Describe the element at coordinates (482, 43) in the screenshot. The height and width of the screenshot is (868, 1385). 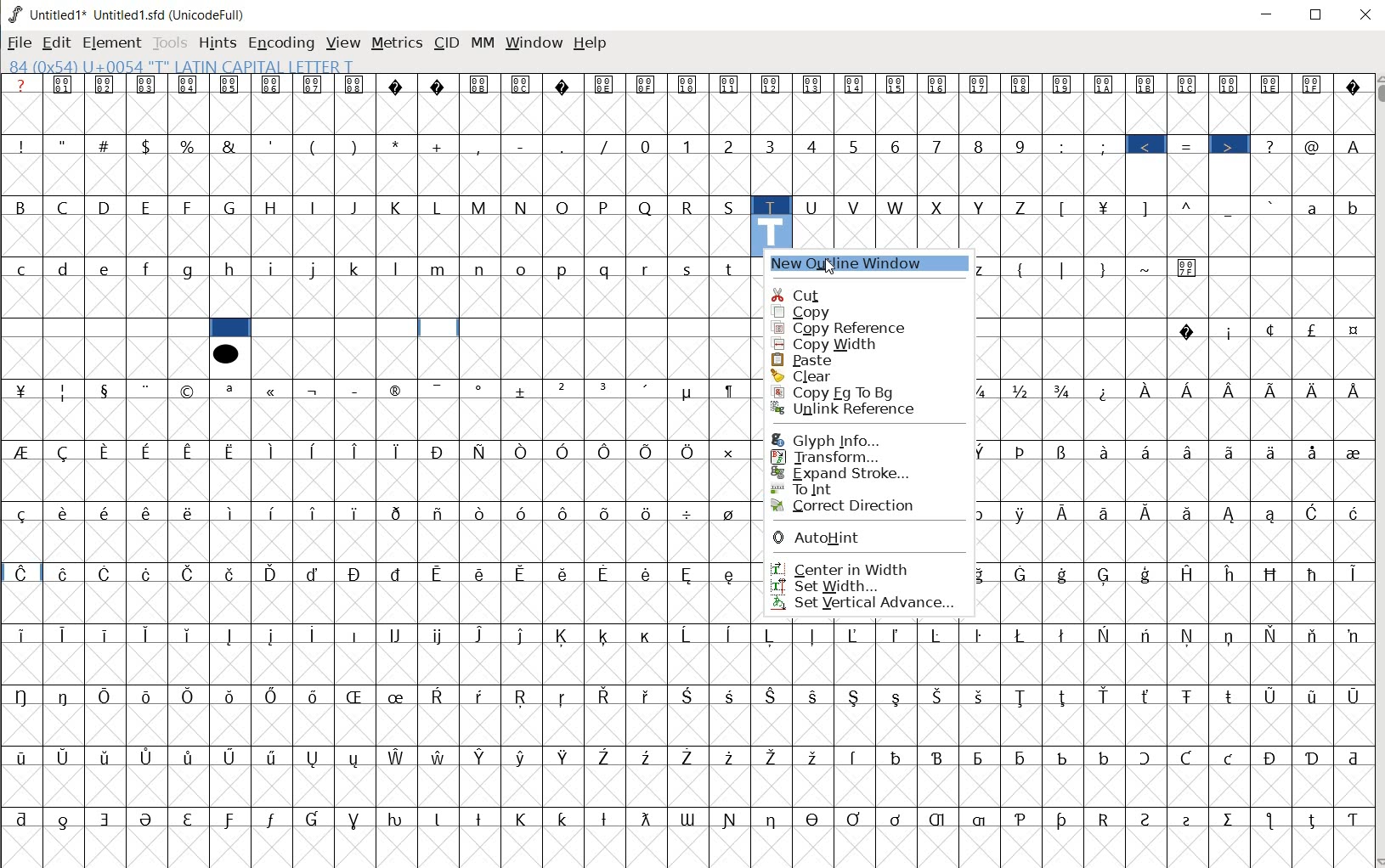
I see `mm` at that location.